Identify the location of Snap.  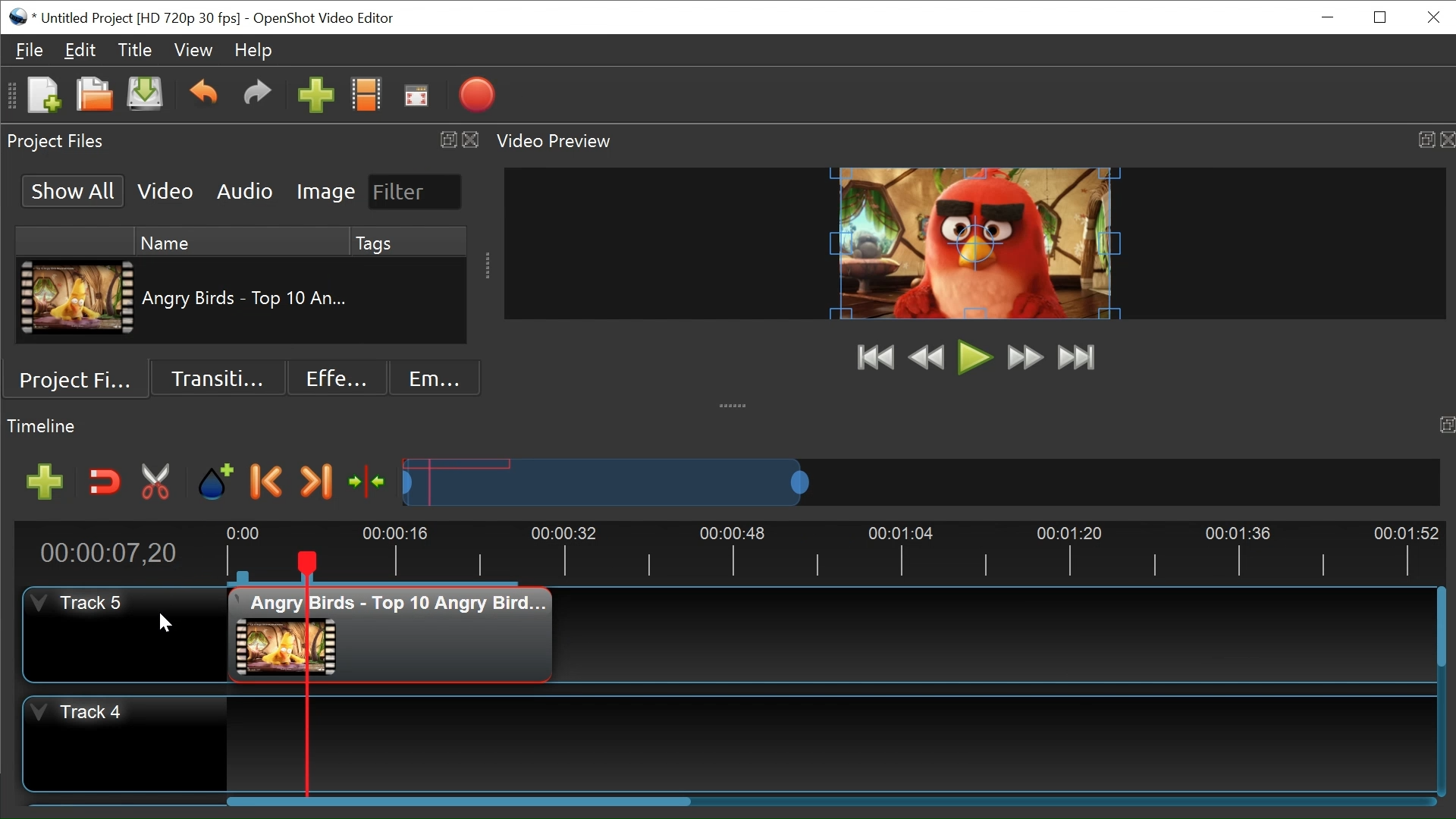
(105, 482).